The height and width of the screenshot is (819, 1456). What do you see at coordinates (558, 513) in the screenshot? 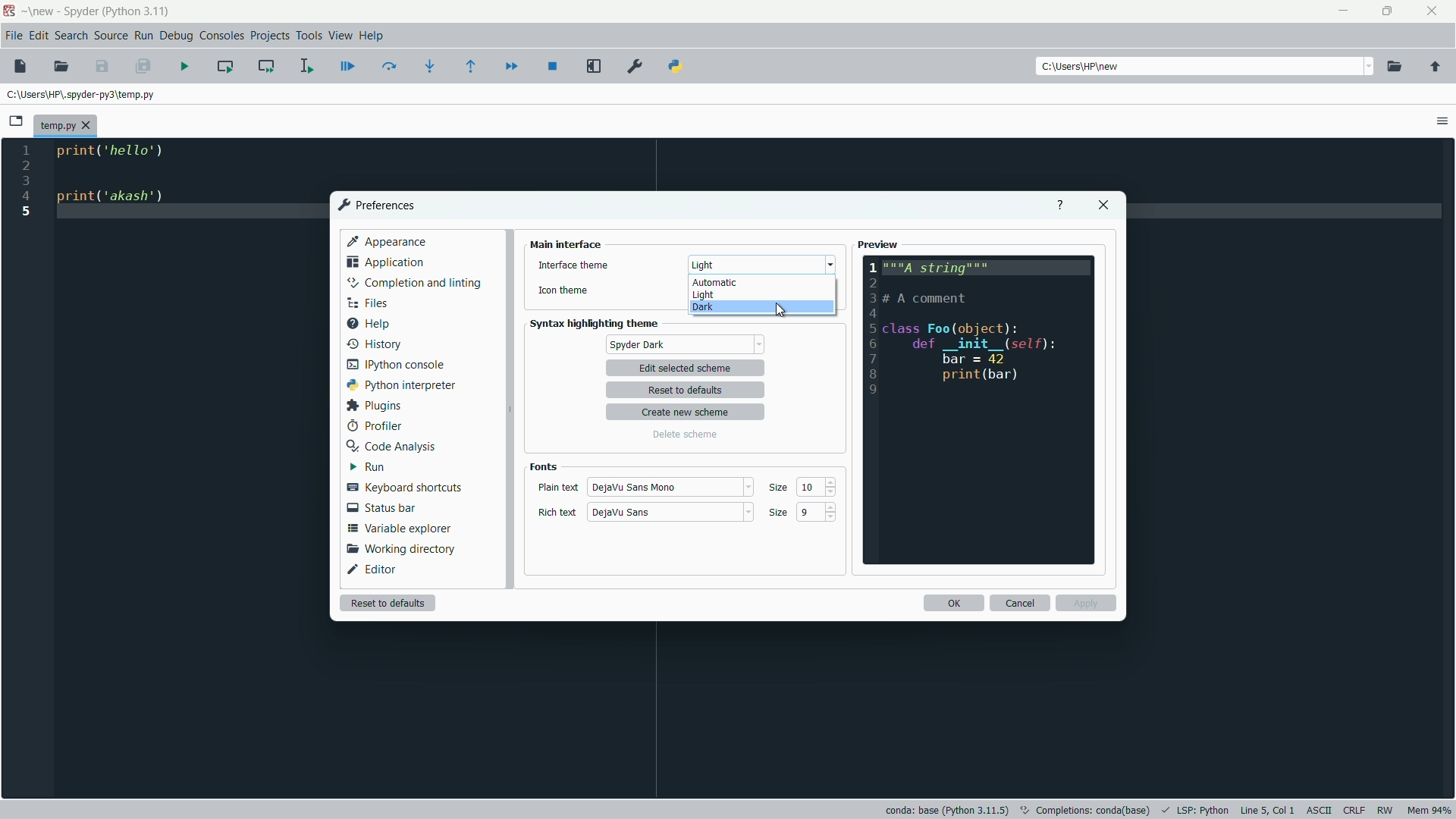
I see `rich text` at bounding box center [558, 513].